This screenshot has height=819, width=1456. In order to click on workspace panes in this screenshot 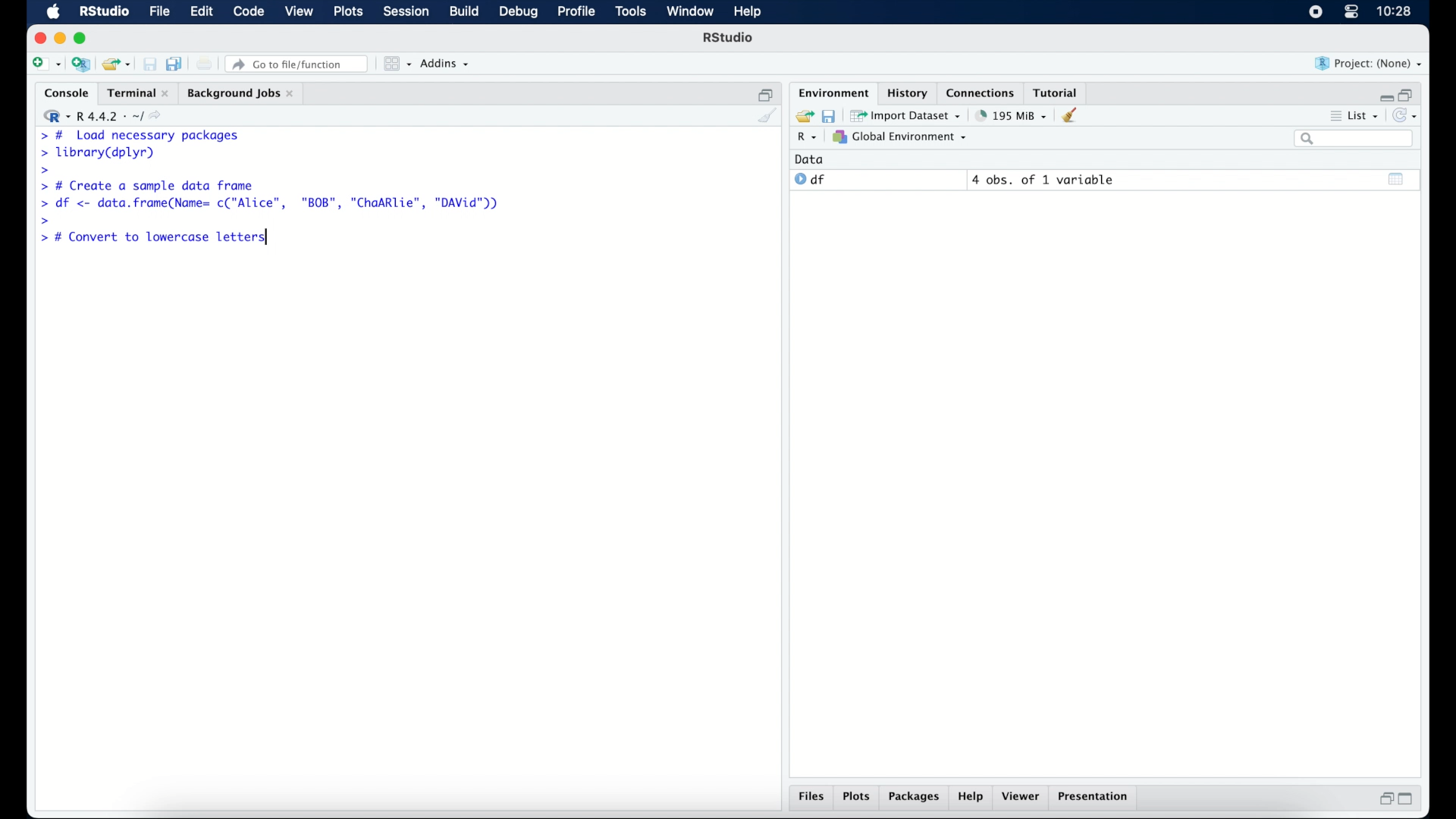, I will do `click(396, 64)`.